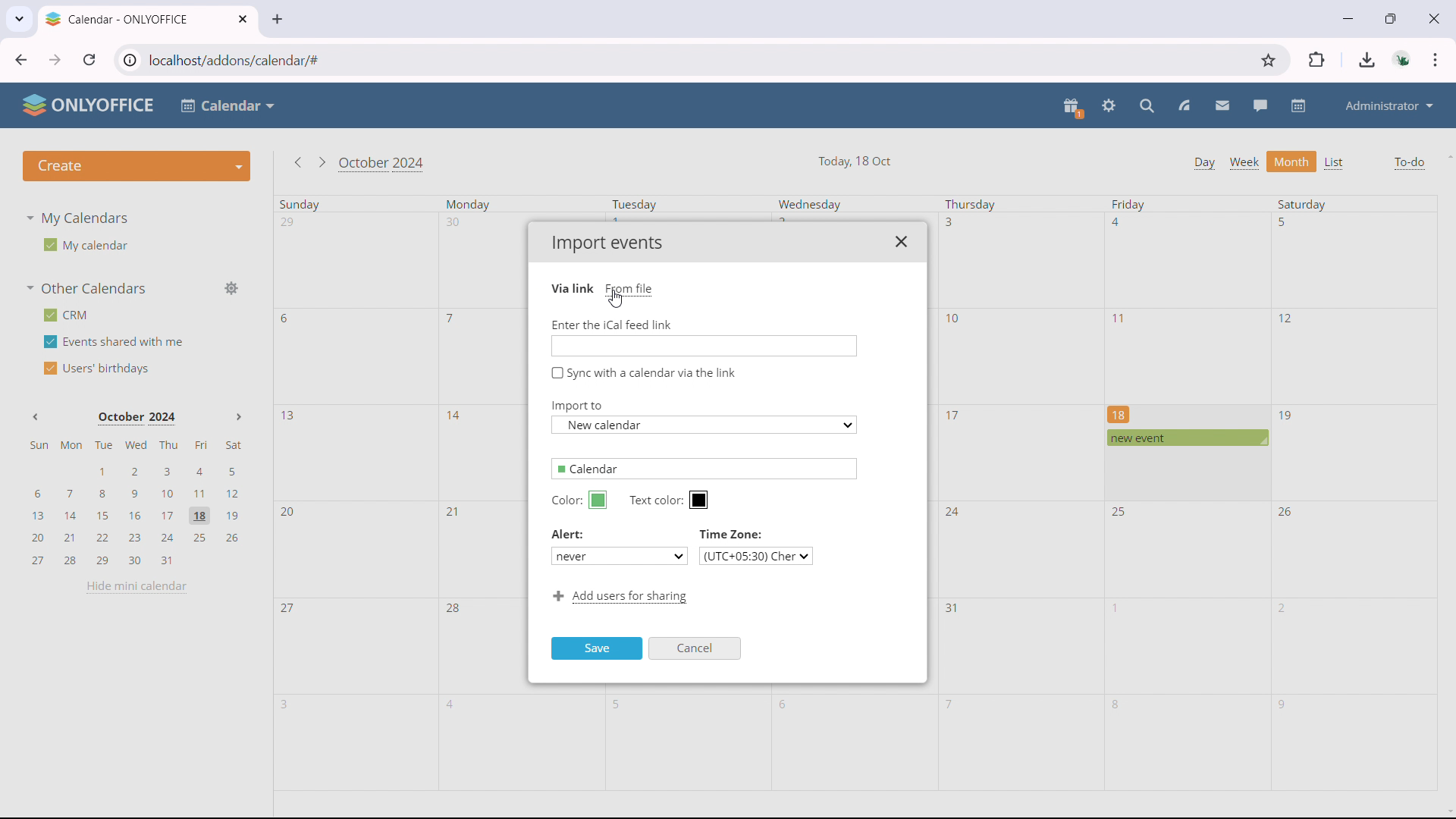 The height and width of the screenshot is (819, 1456). What do you see at coordinates (677, 500) in the screenshot?
I see `Text color` at bounding box center [677, 500].